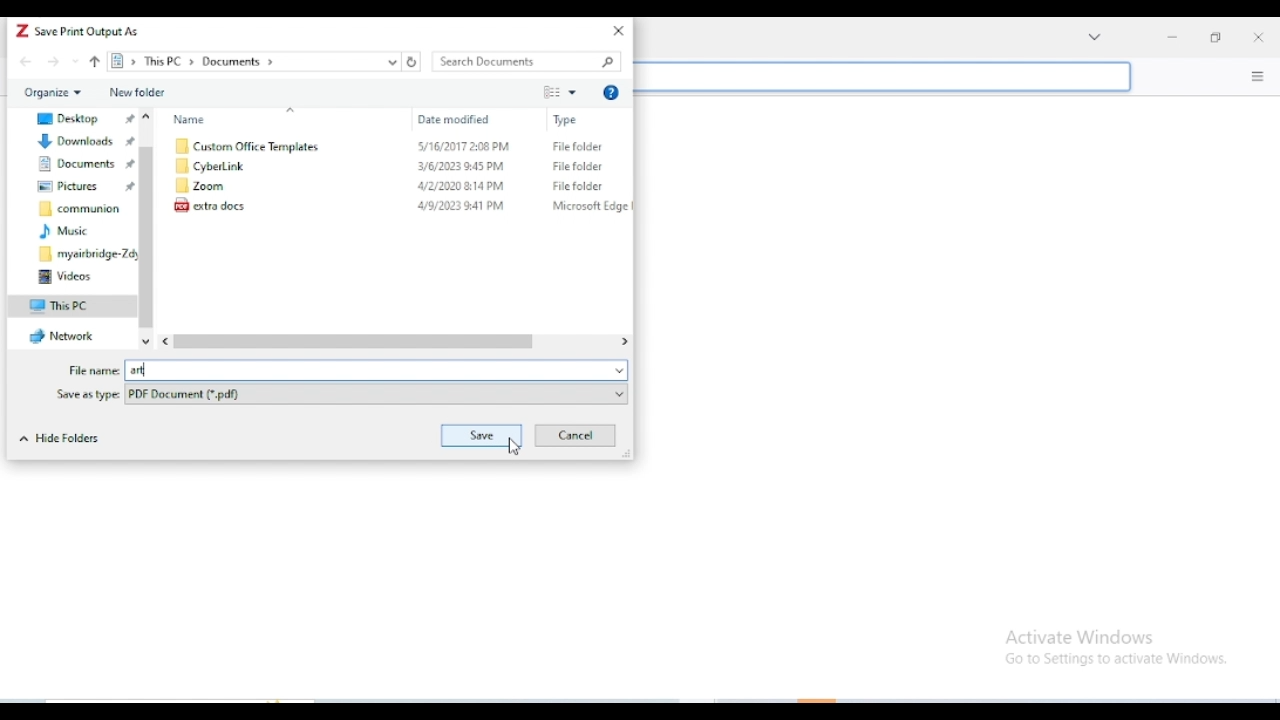 The height and width of the screenshot is (720, 1280). I want to click on Microsoft Edge, so click(591, 205).